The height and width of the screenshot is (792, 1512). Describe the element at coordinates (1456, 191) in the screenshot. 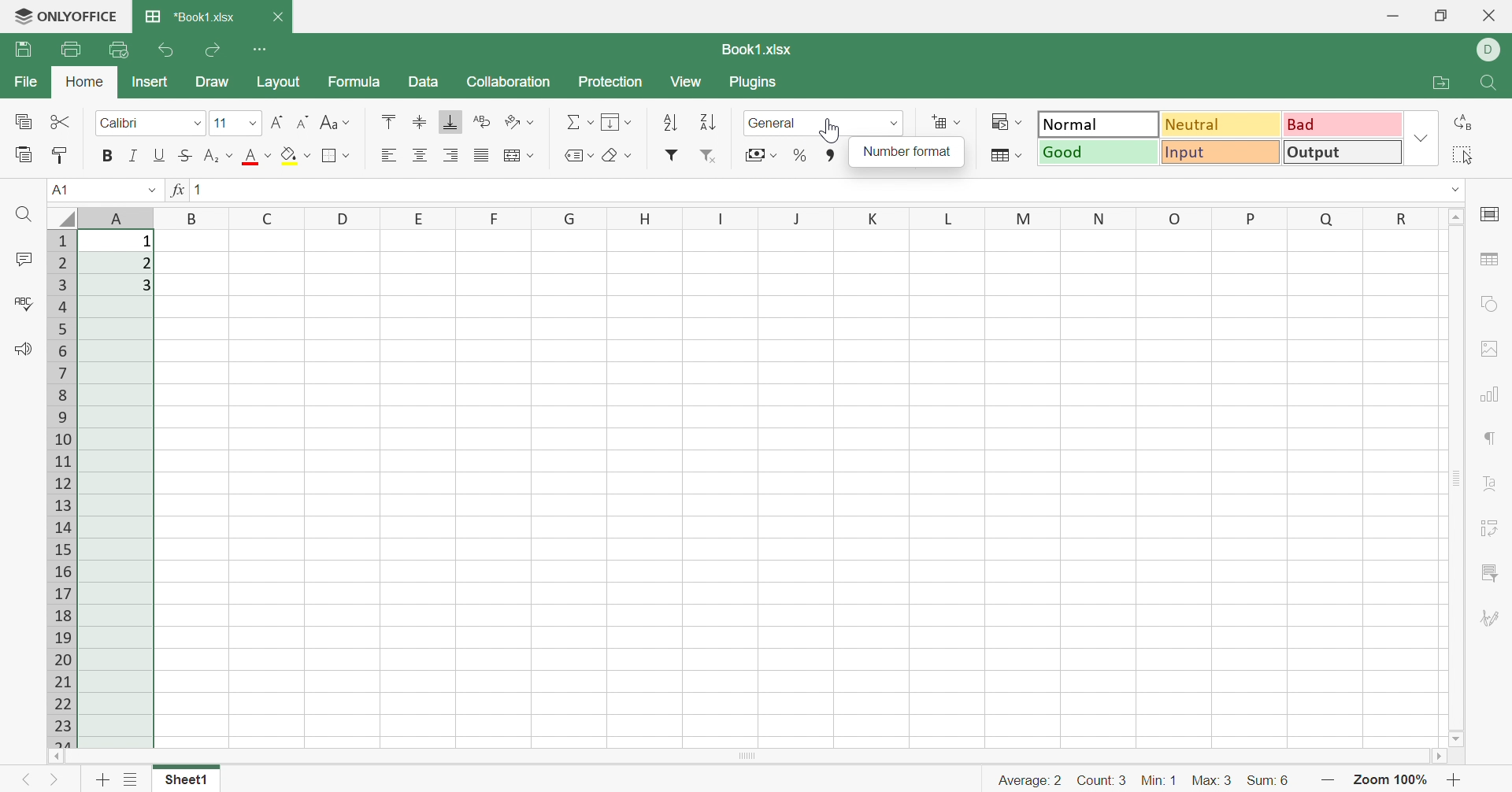

I see `Drop down` at that location.